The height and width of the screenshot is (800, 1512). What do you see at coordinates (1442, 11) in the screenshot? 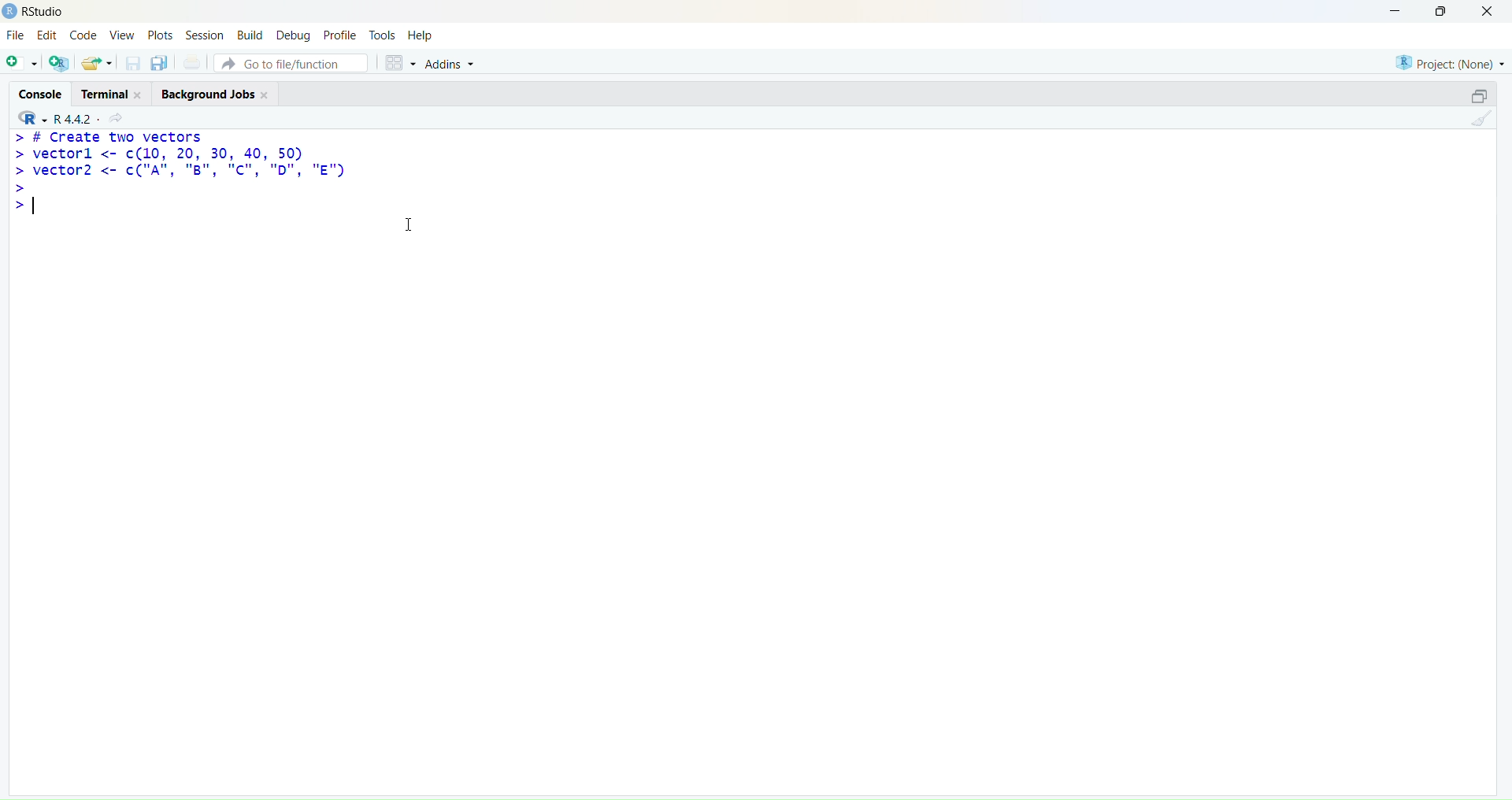
I see `Maximize` at bounding box center [1442, 11].